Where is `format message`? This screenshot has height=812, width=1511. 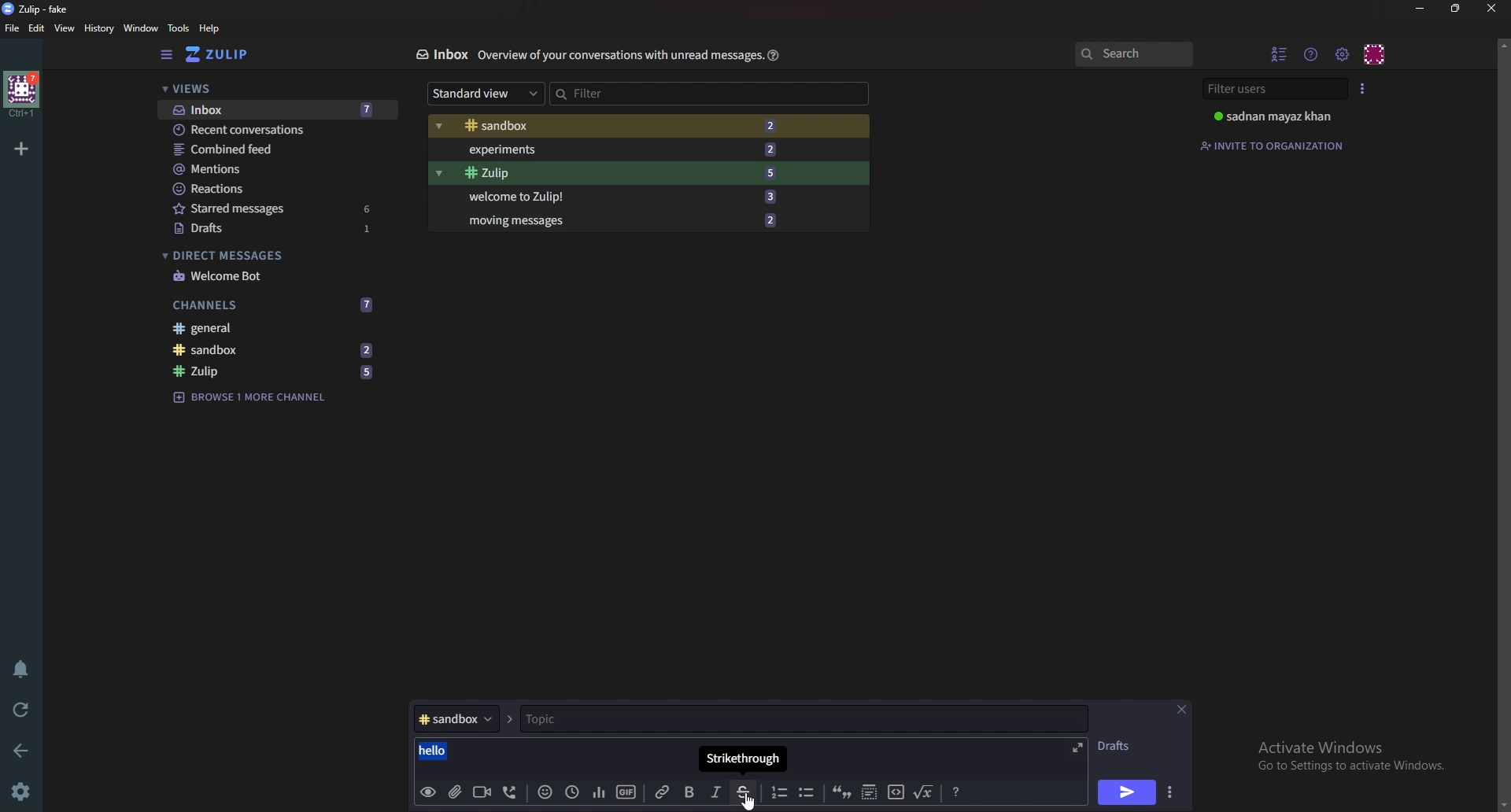
format message is located at coordinates (956, 792).